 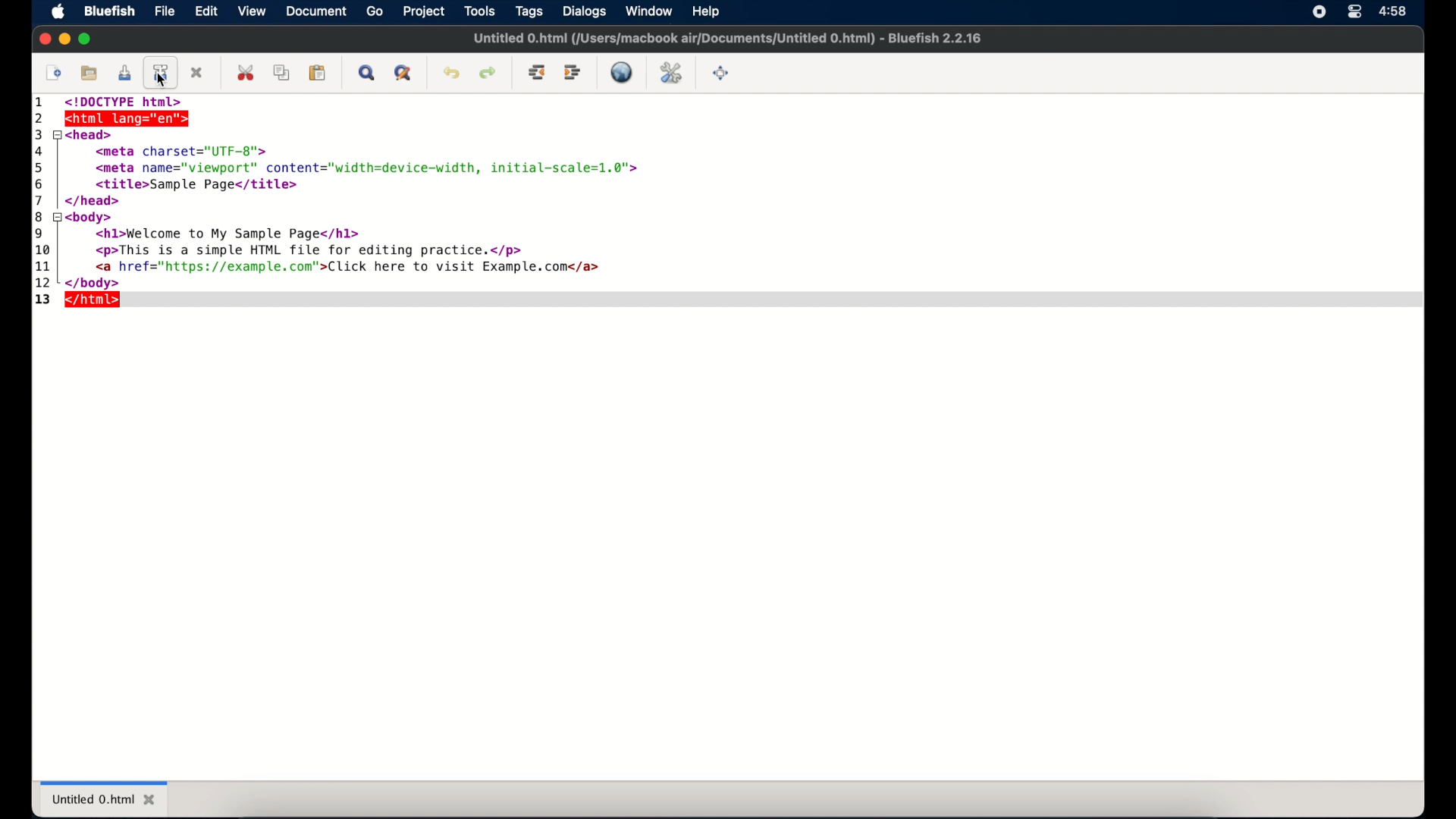 What do you see at coordinates (42, 300) in the screenshot?
I see `13` at bounding box center [42, 300].